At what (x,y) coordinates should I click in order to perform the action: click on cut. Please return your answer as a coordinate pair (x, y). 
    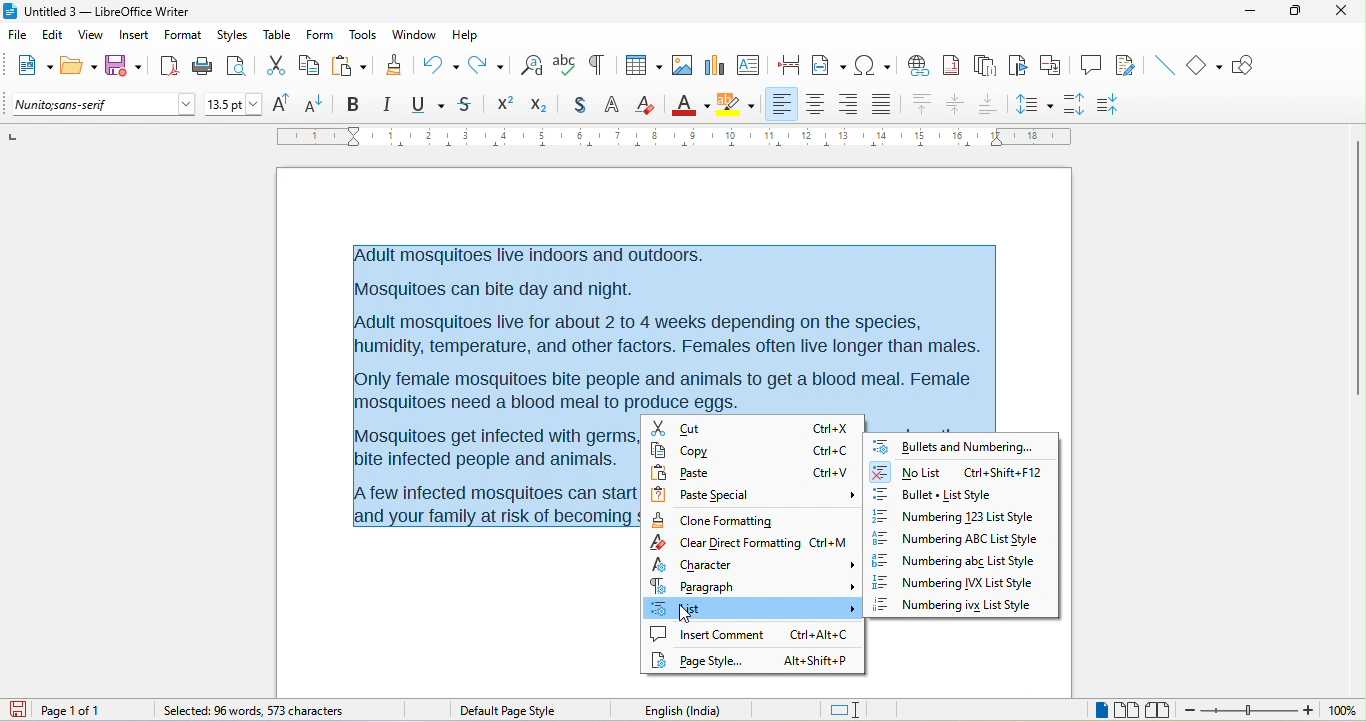
    Looking at the image, I should click on (280, 66).